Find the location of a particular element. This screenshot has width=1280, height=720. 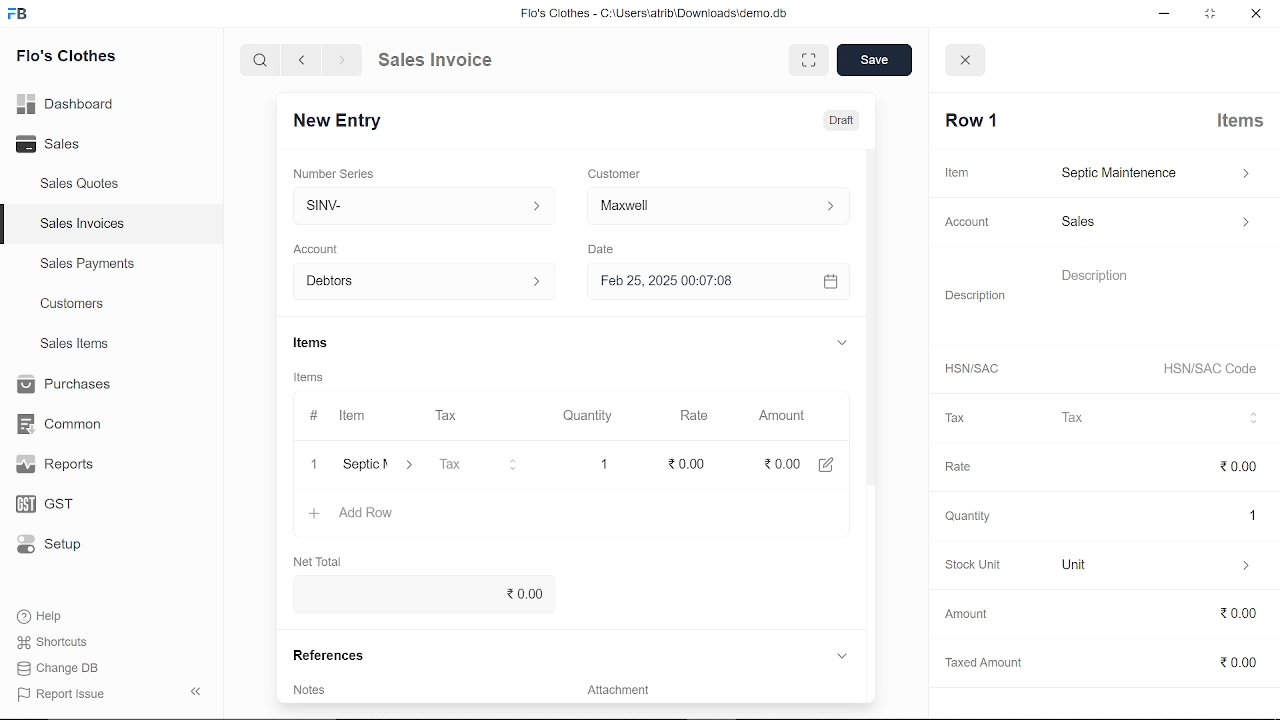

minimize is located at coordinates (1160, 14).